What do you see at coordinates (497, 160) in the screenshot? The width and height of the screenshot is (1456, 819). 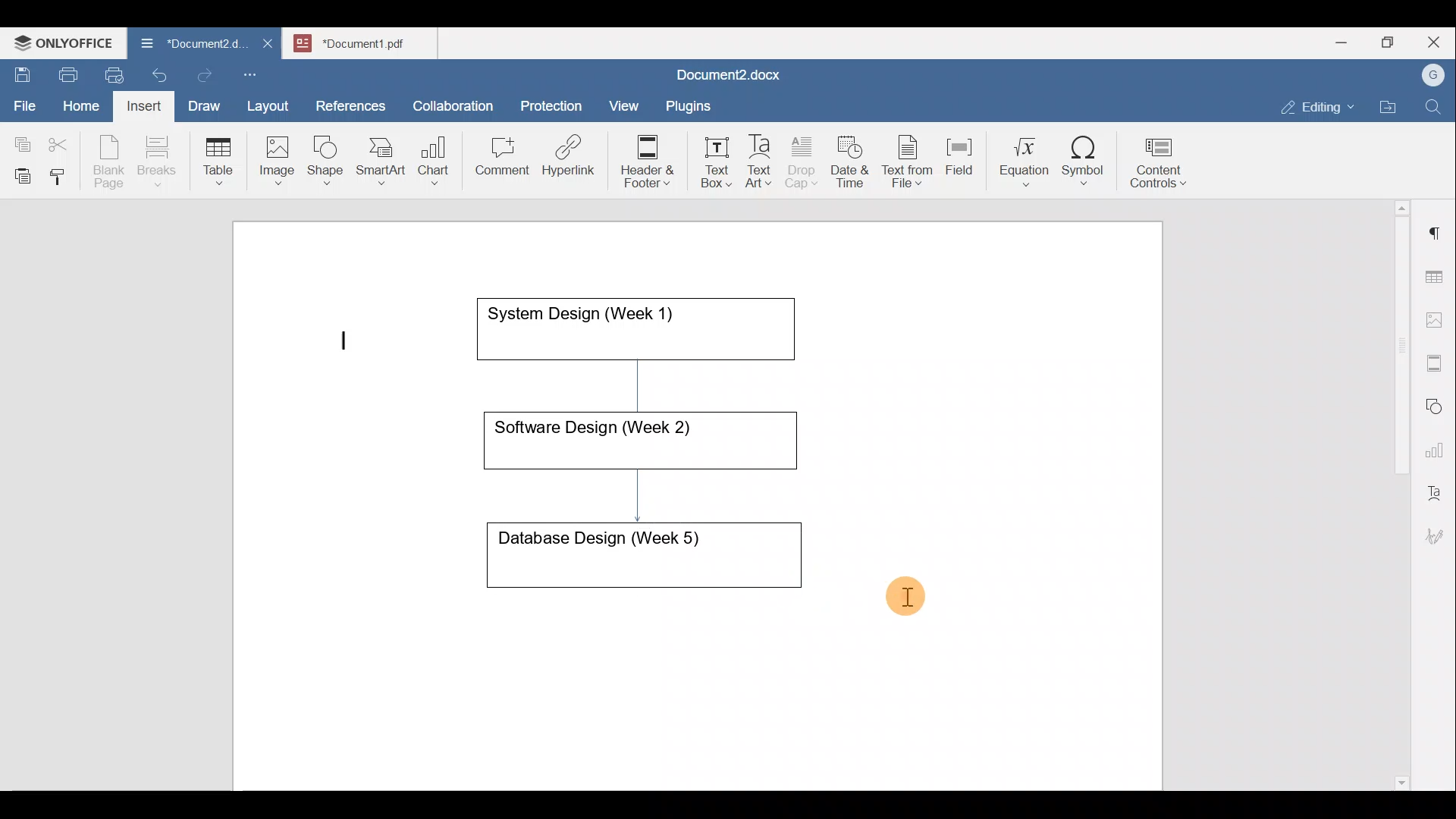 I see `Comment` at bounding box center [497, 160].